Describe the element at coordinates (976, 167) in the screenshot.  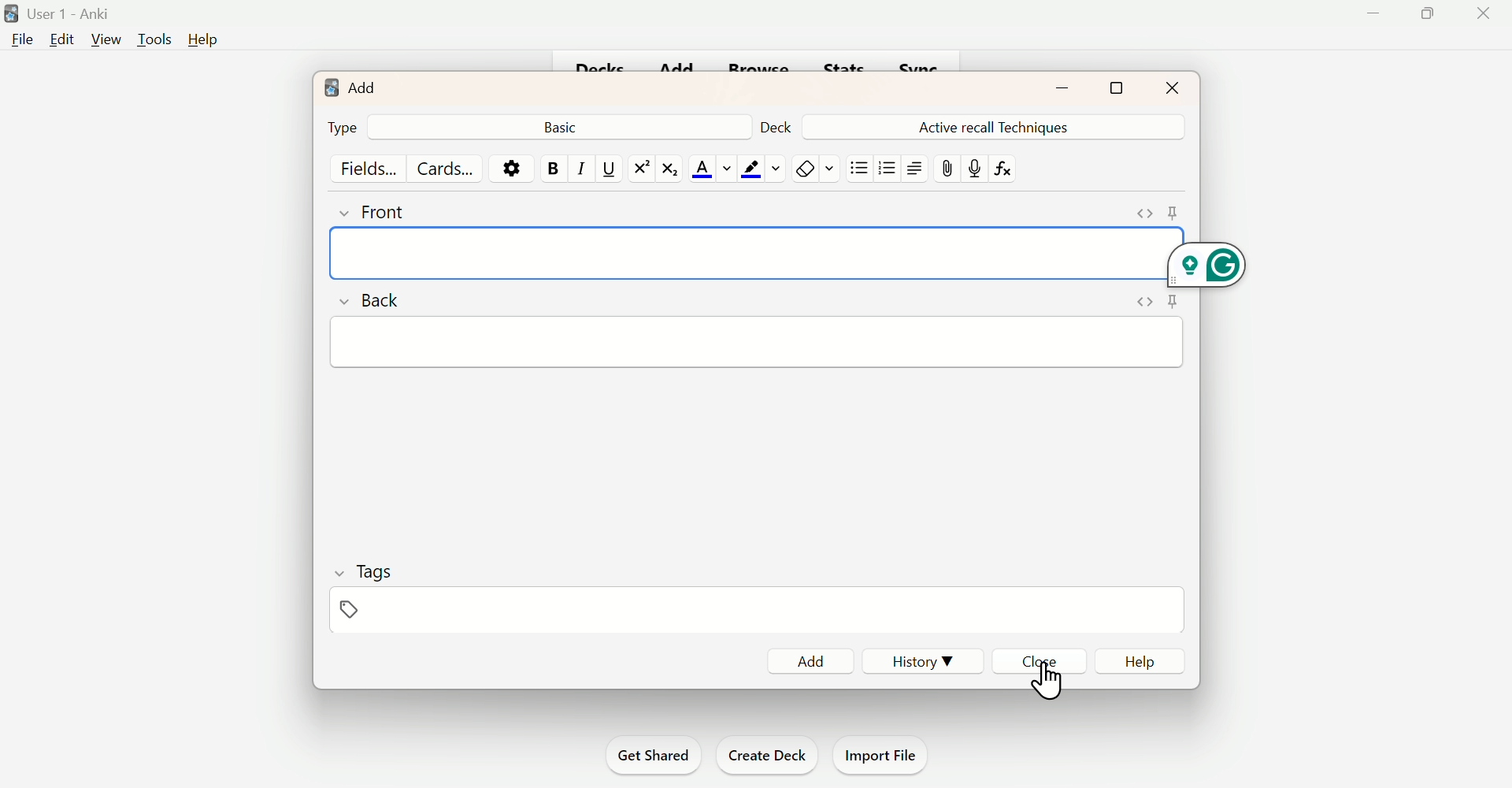
I see `Mic` at that location.